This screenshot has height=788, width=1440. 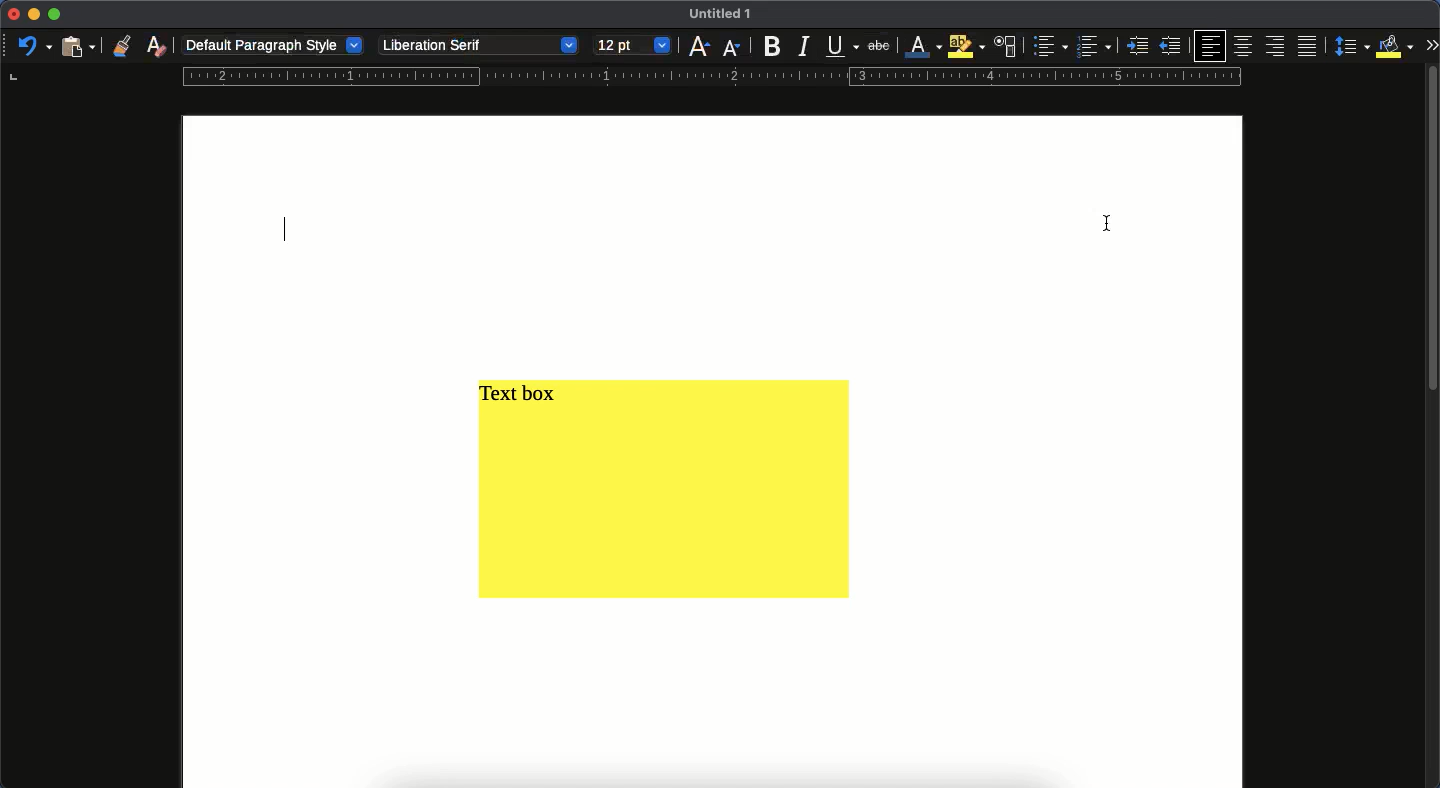 I want to click on font size decrease, so click(x=733, y=49).